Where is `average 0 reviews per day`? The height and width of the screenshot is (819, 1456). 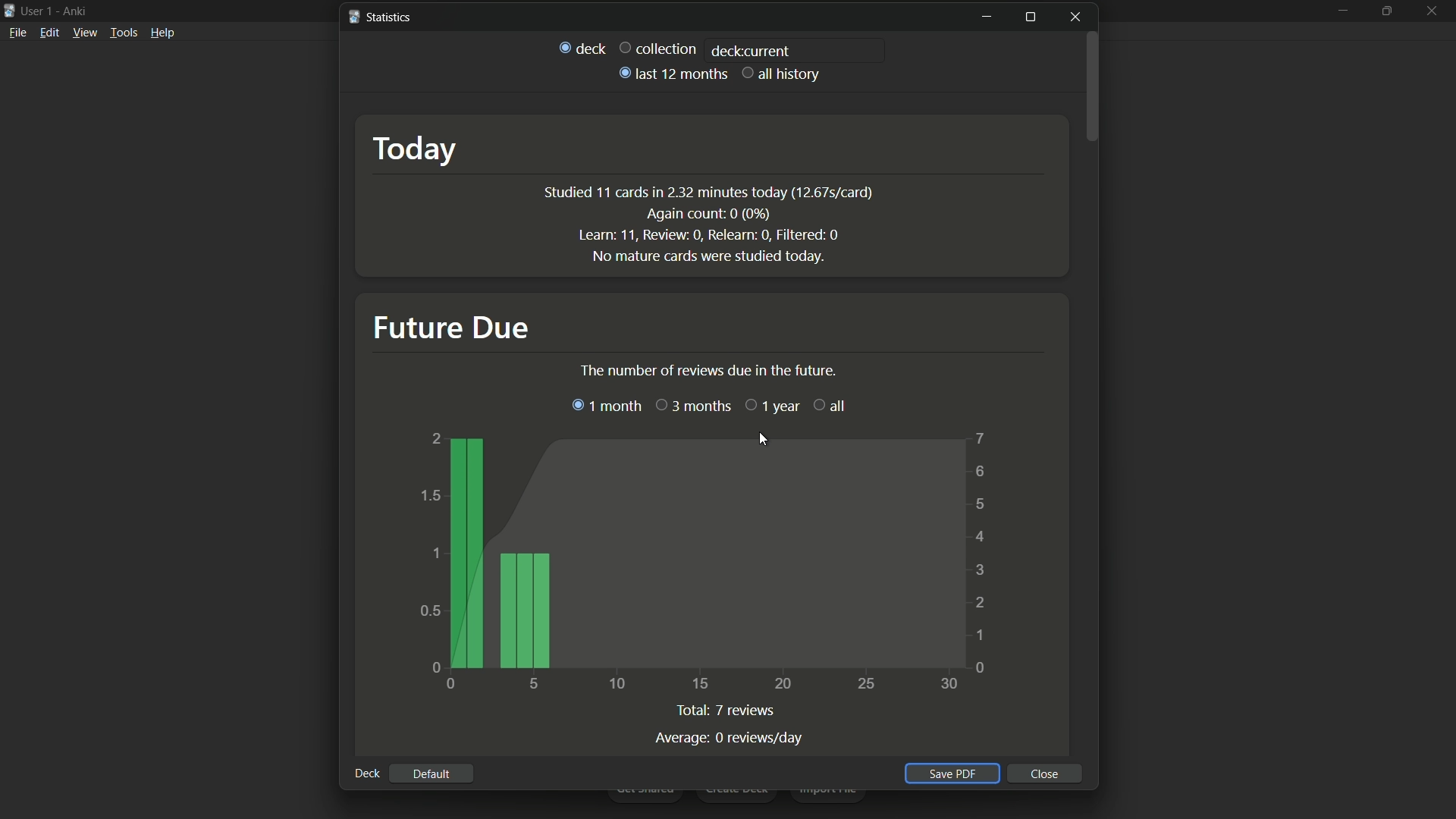
average 0 reviews per day is located at coordinates (729, 736).